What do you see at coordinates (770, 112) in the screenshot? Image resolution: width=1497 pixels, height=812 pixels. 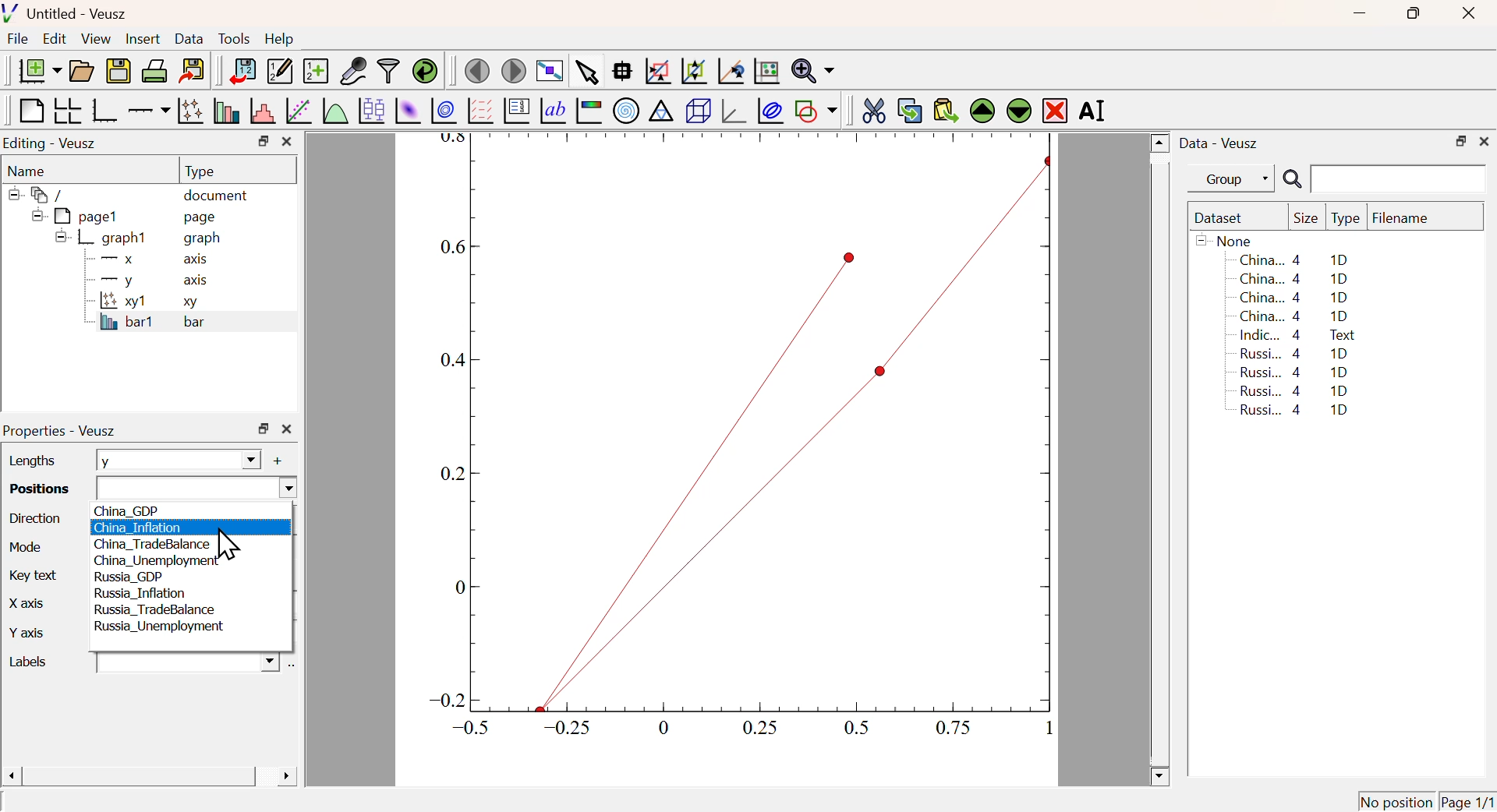 I see `Plot Covariance Ellipses` at bounding box center [770, 112].